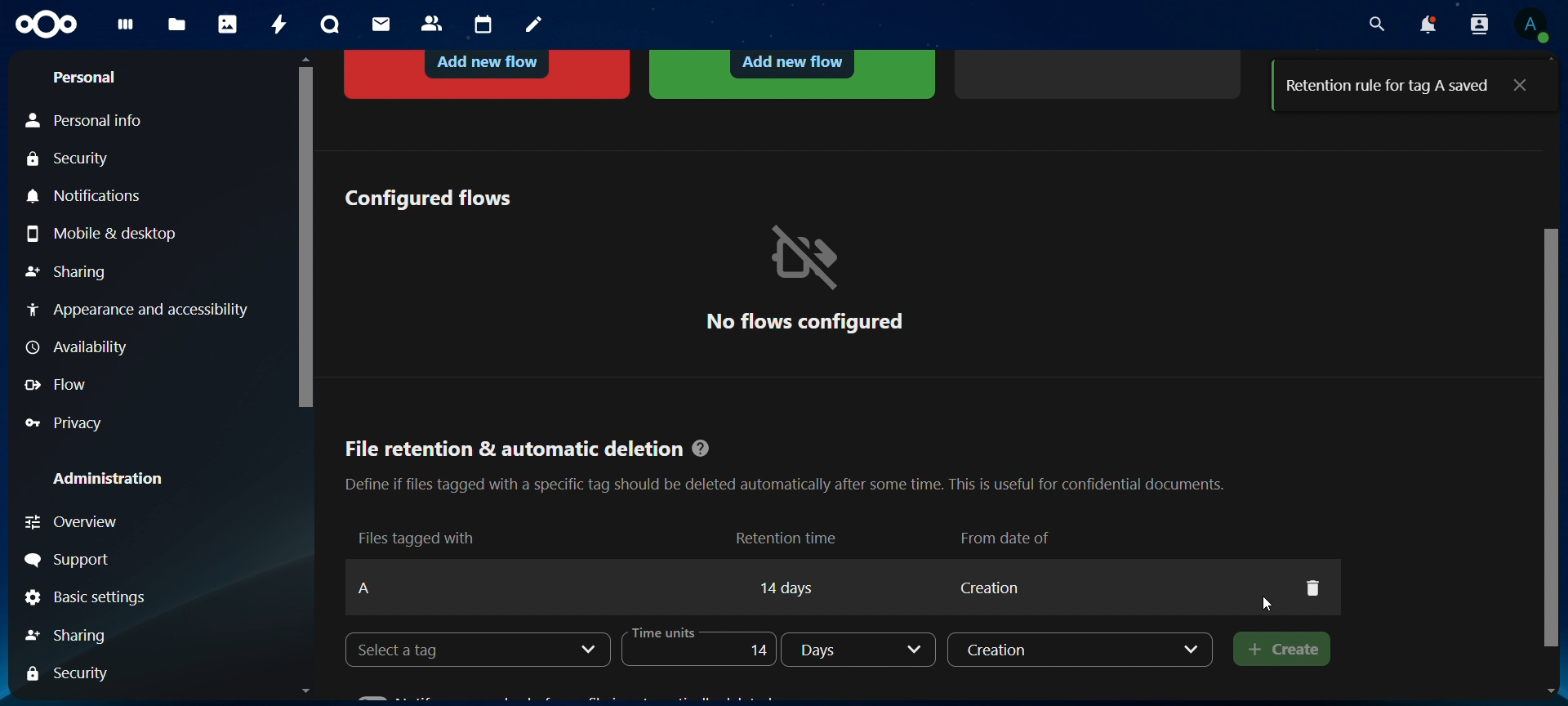 The width and height of the screenshot is (1568, 706). I want to click on personal info, so click(95, 121).